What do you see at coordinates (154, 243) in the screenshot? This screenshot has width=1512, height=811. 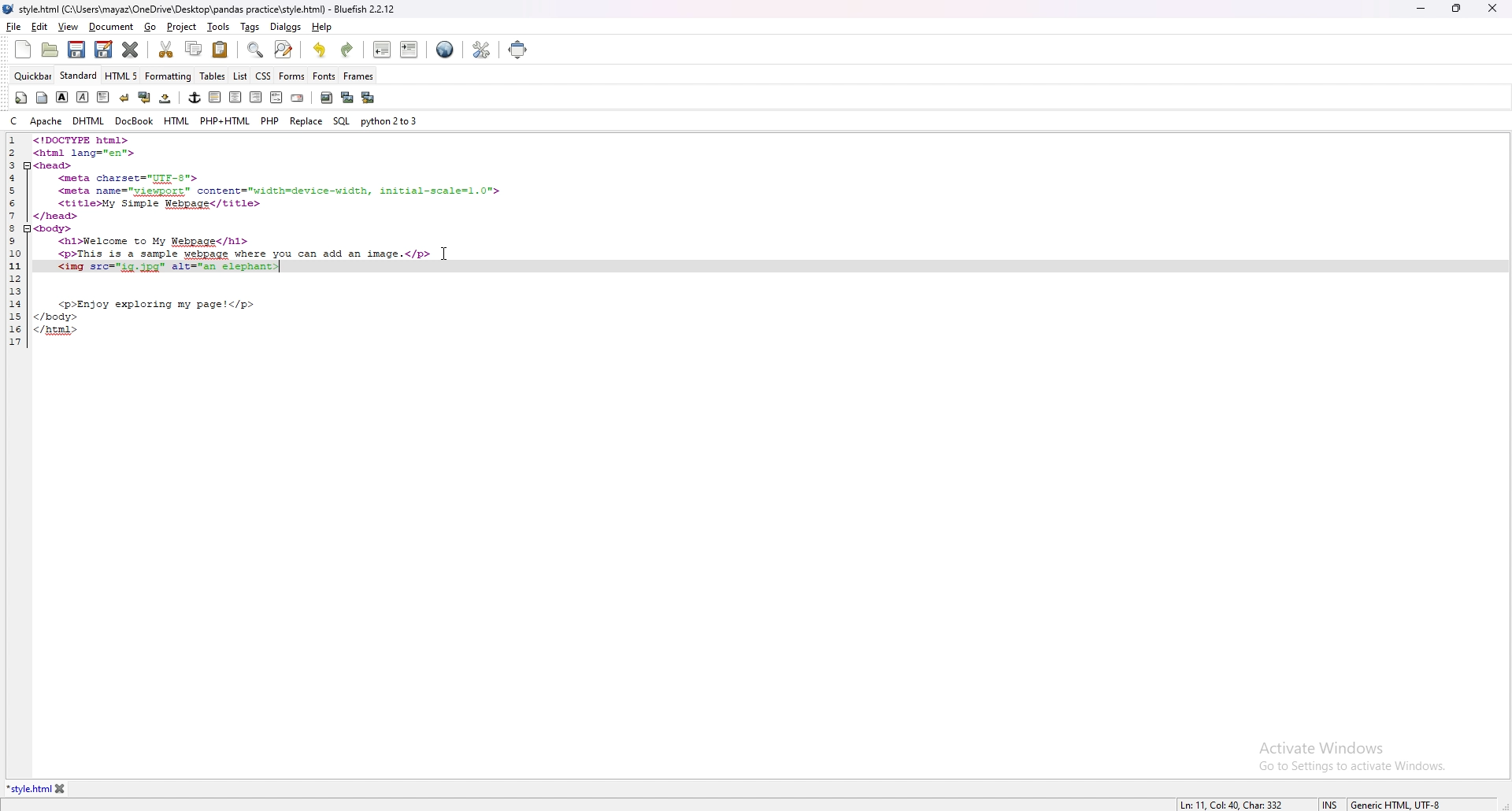 I see `<hl>Welcome to My Webpage</hl>` at bounding box center [154, 243].